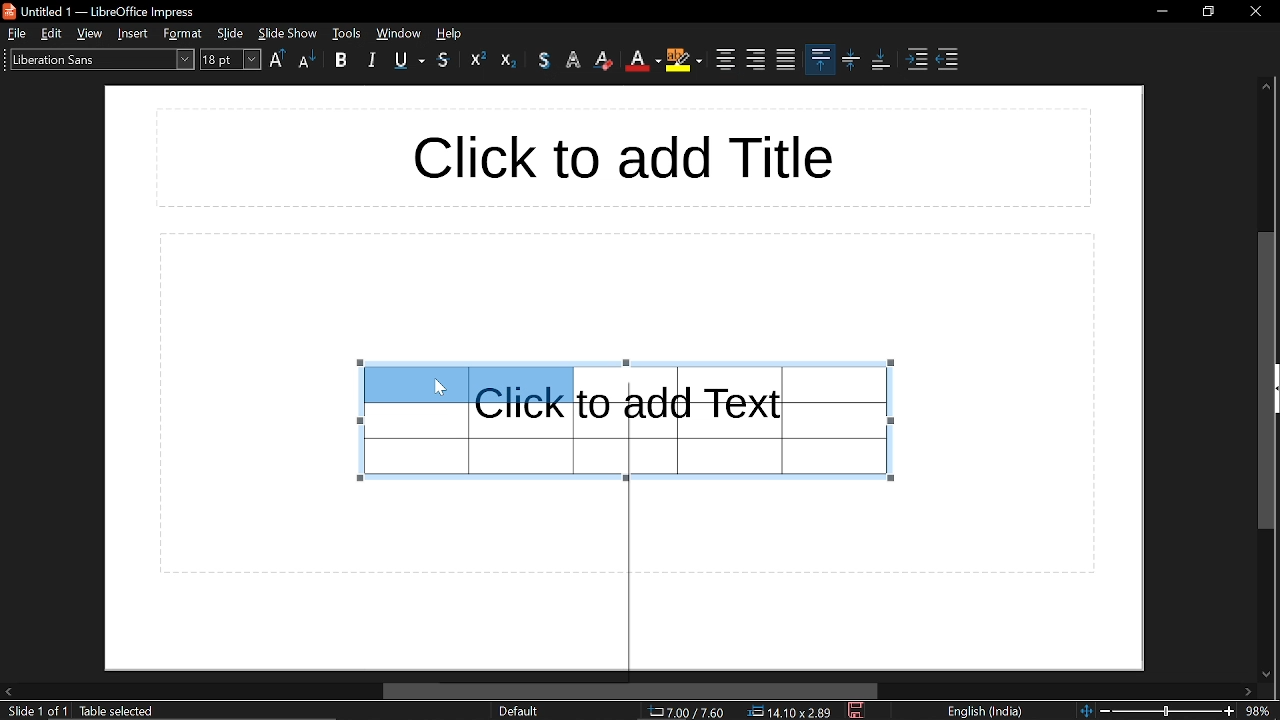 Image resolution: width=1280 pixels, height=720 pixels. What do you see at coordinates (880, 60) in the screenshot?
I see `align bottom` at bounding box center [880, 60].